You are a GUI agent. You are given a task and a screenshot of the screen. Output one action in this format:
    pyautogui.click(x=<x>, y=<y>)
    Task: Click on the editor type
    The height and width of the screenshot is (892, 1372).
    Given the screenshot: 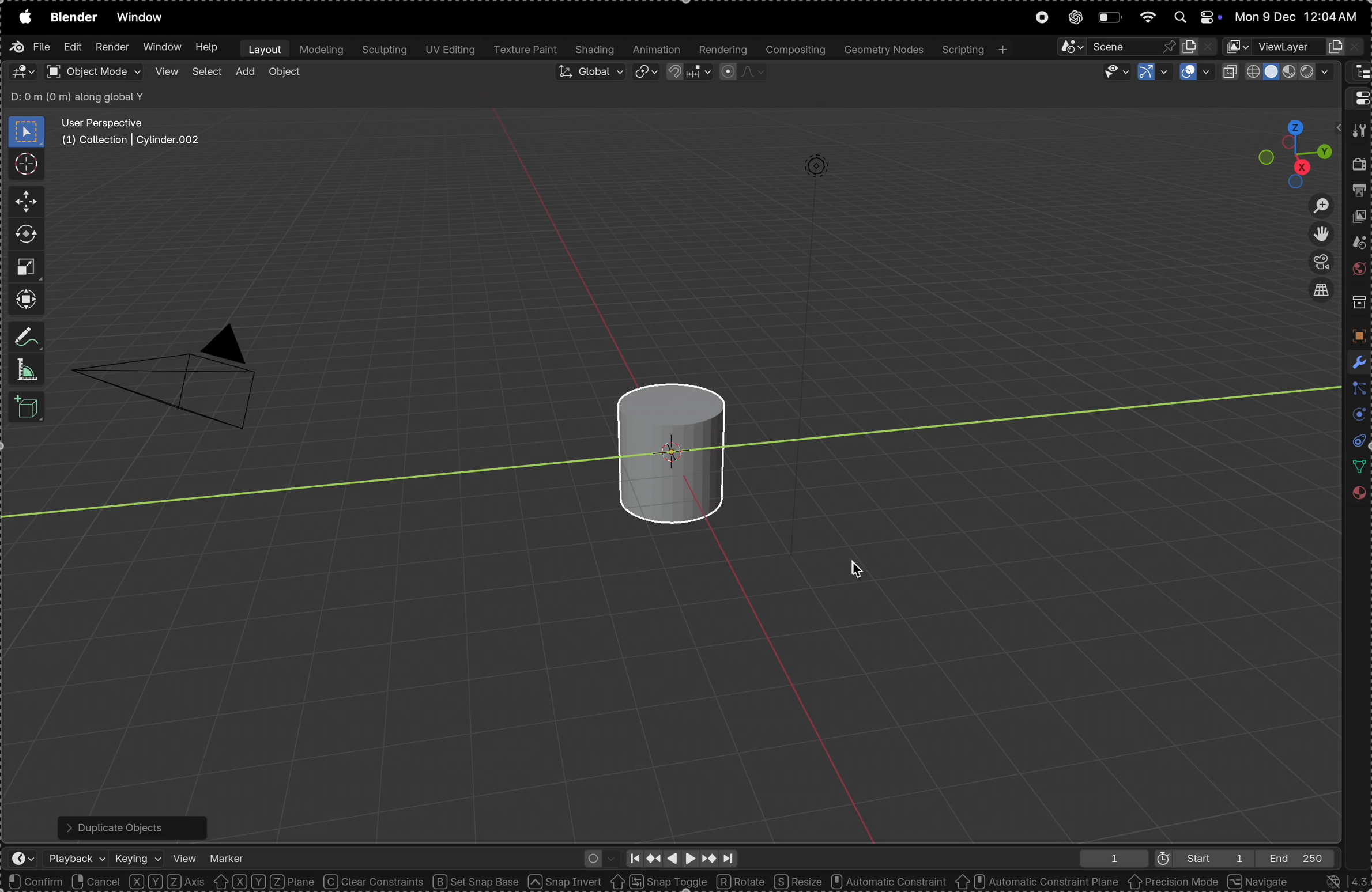 What is the action you would take?
    pyautogui.click(x=1358, y=73)
    